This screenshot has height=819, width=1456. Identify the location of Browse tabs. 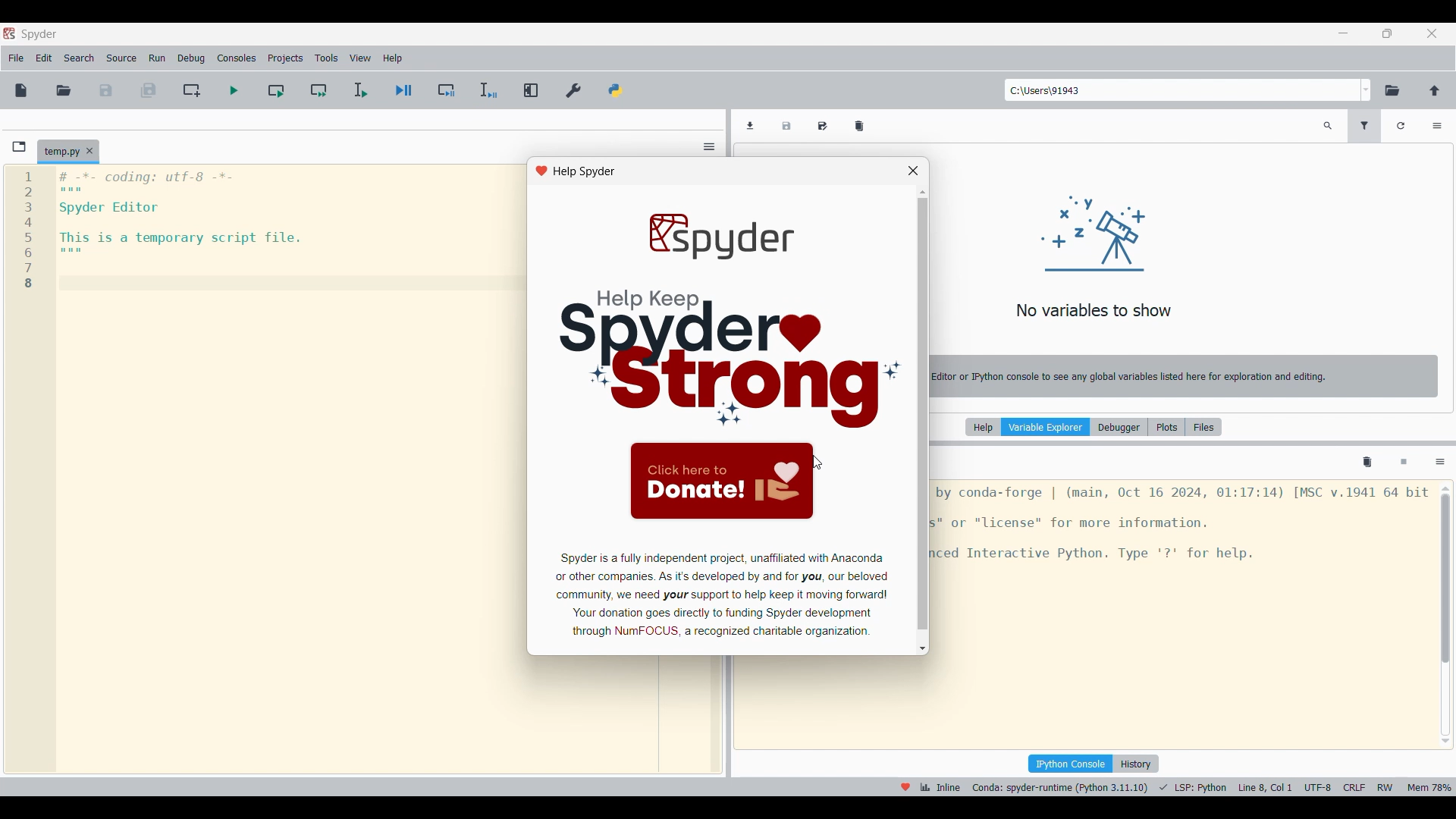
(19, 147).